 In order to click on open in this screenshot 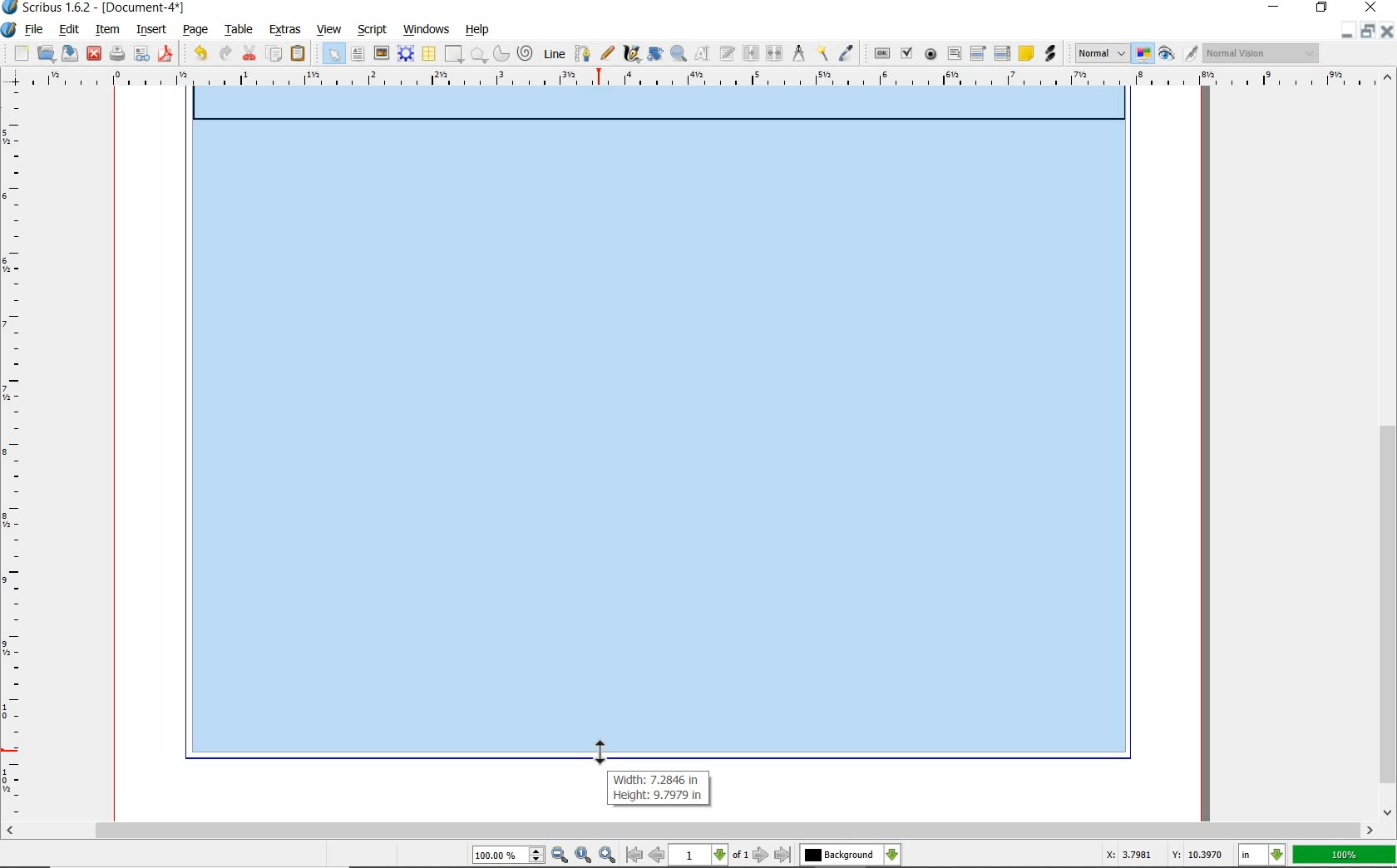, I will do `click(47, 54)`.